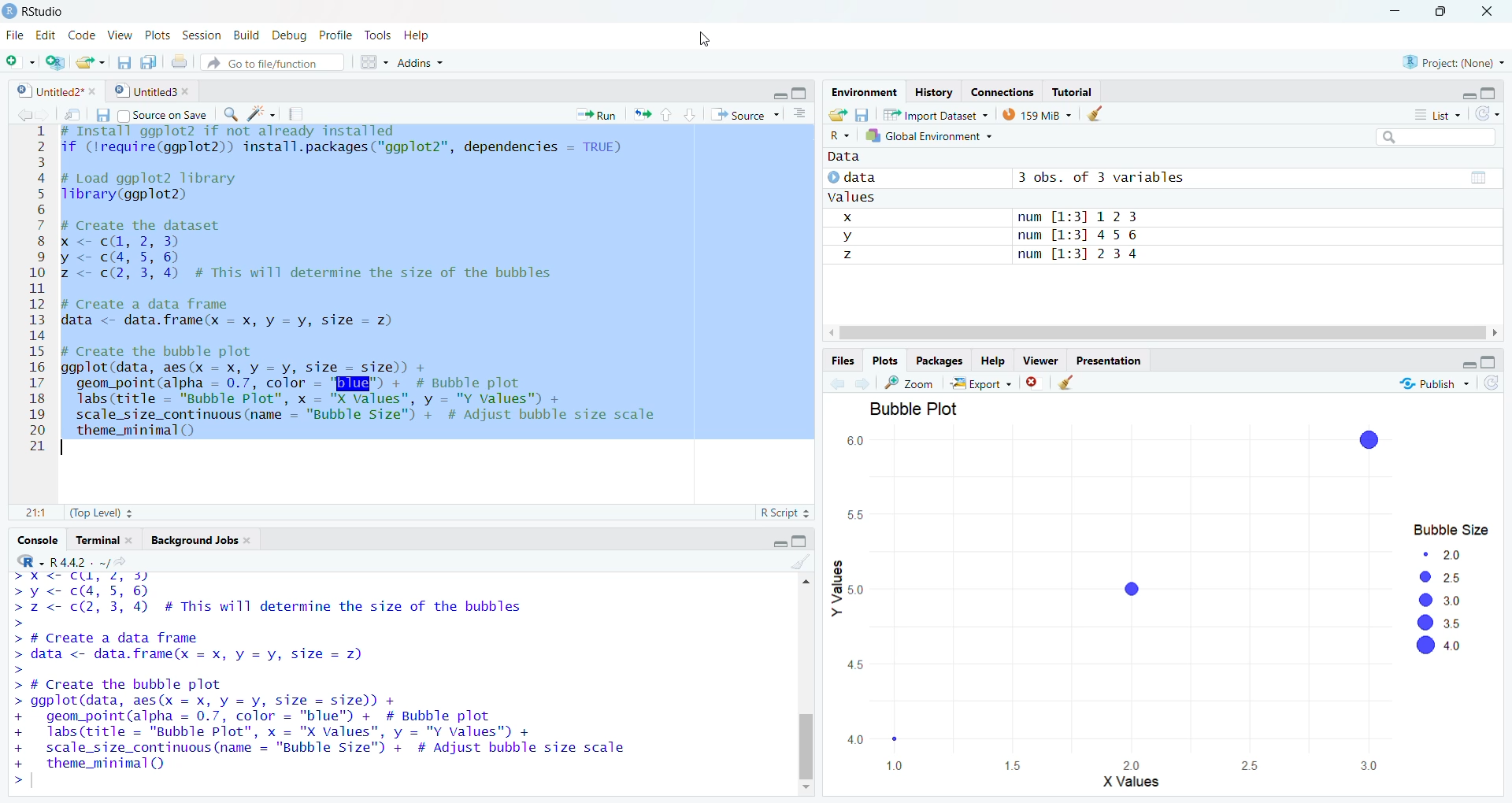 The image size is (1512, 803). What do you see at coordinates (842, 359) in the screenshot?
I see `Files` at bounding box center [842, 359].